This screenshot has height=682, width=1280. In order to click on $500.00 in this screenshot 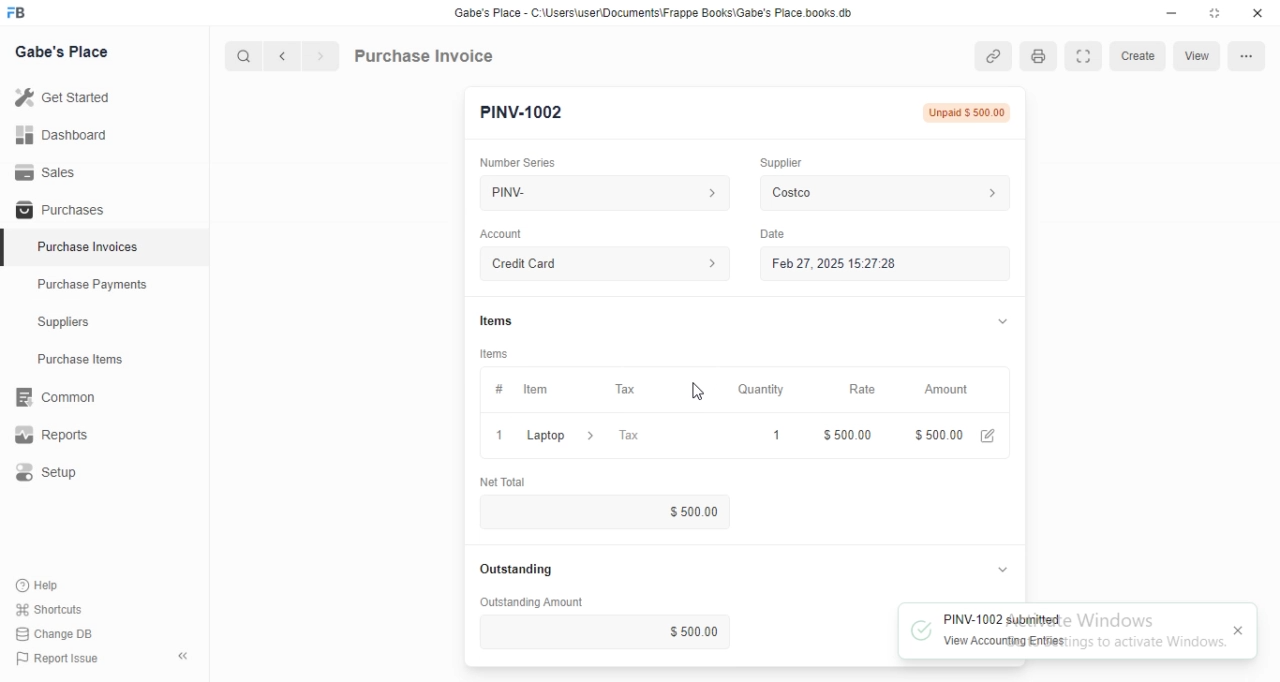, I will do `click(605, 512)`.